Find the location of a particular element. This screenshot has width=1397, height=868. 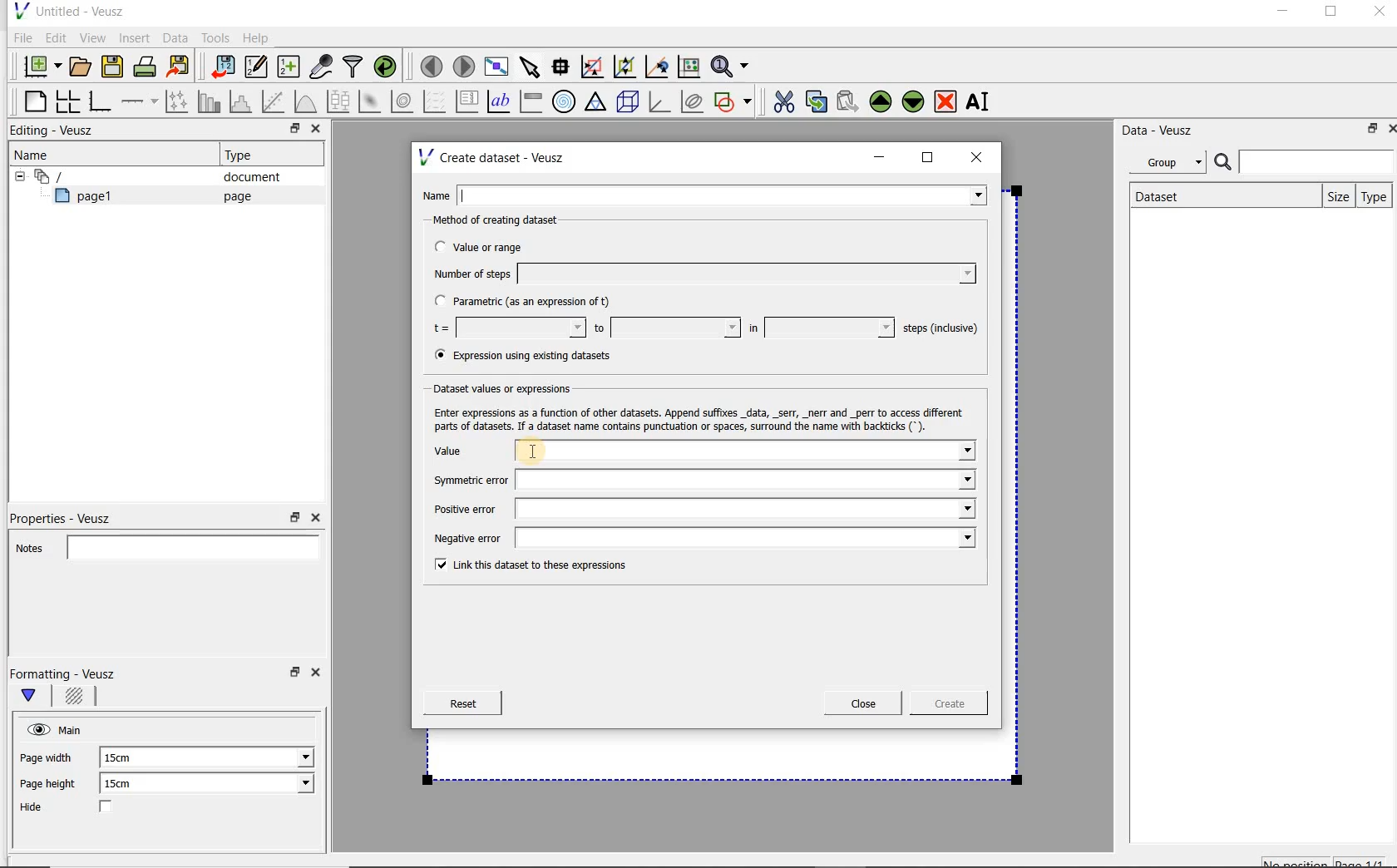

Page width is located at coordinates (47, 755).